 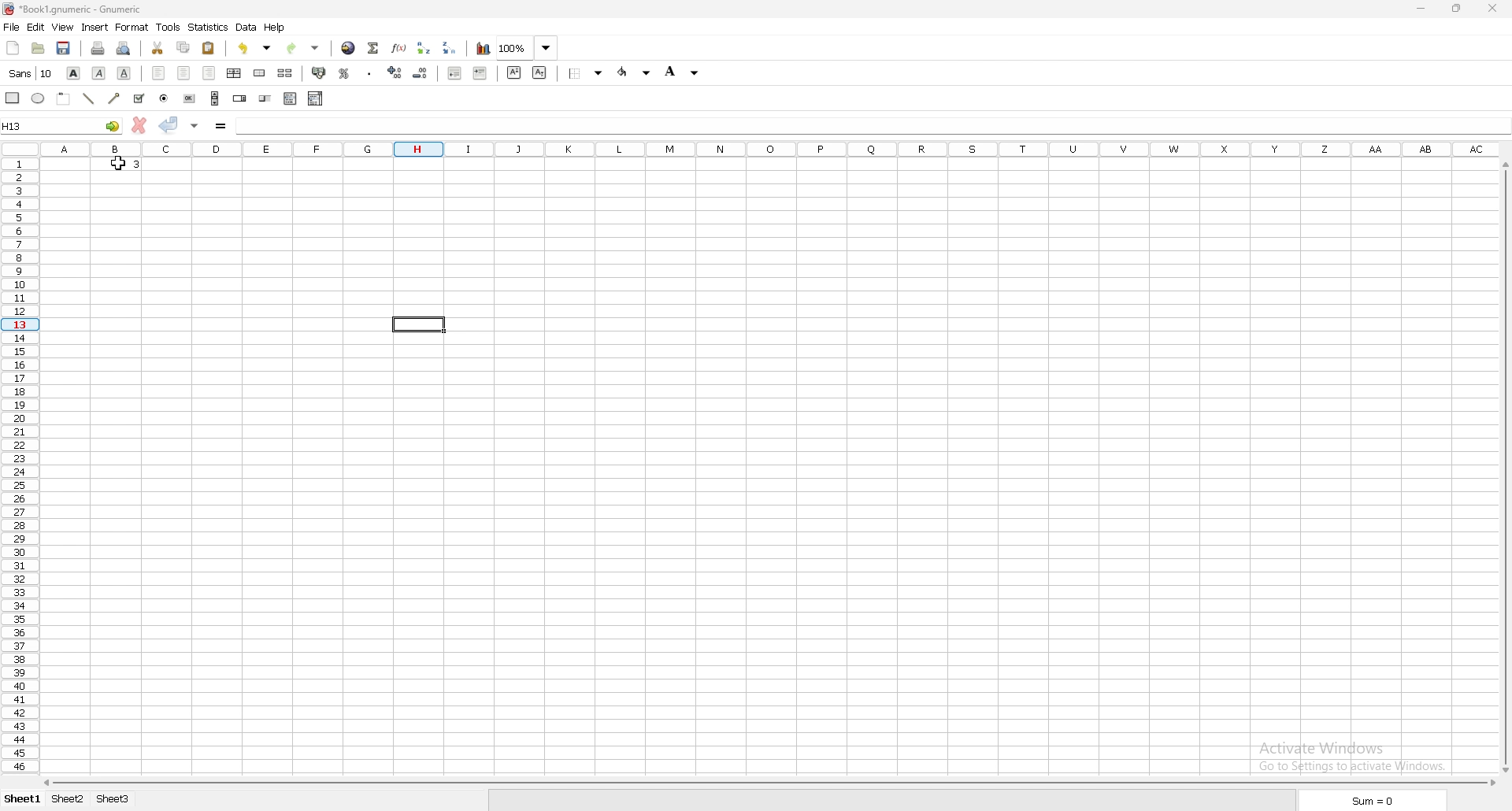 What do you see at coordinates (113, 798) in the screenshot?
I see `sheet 3` at bounding box center [113, 798].